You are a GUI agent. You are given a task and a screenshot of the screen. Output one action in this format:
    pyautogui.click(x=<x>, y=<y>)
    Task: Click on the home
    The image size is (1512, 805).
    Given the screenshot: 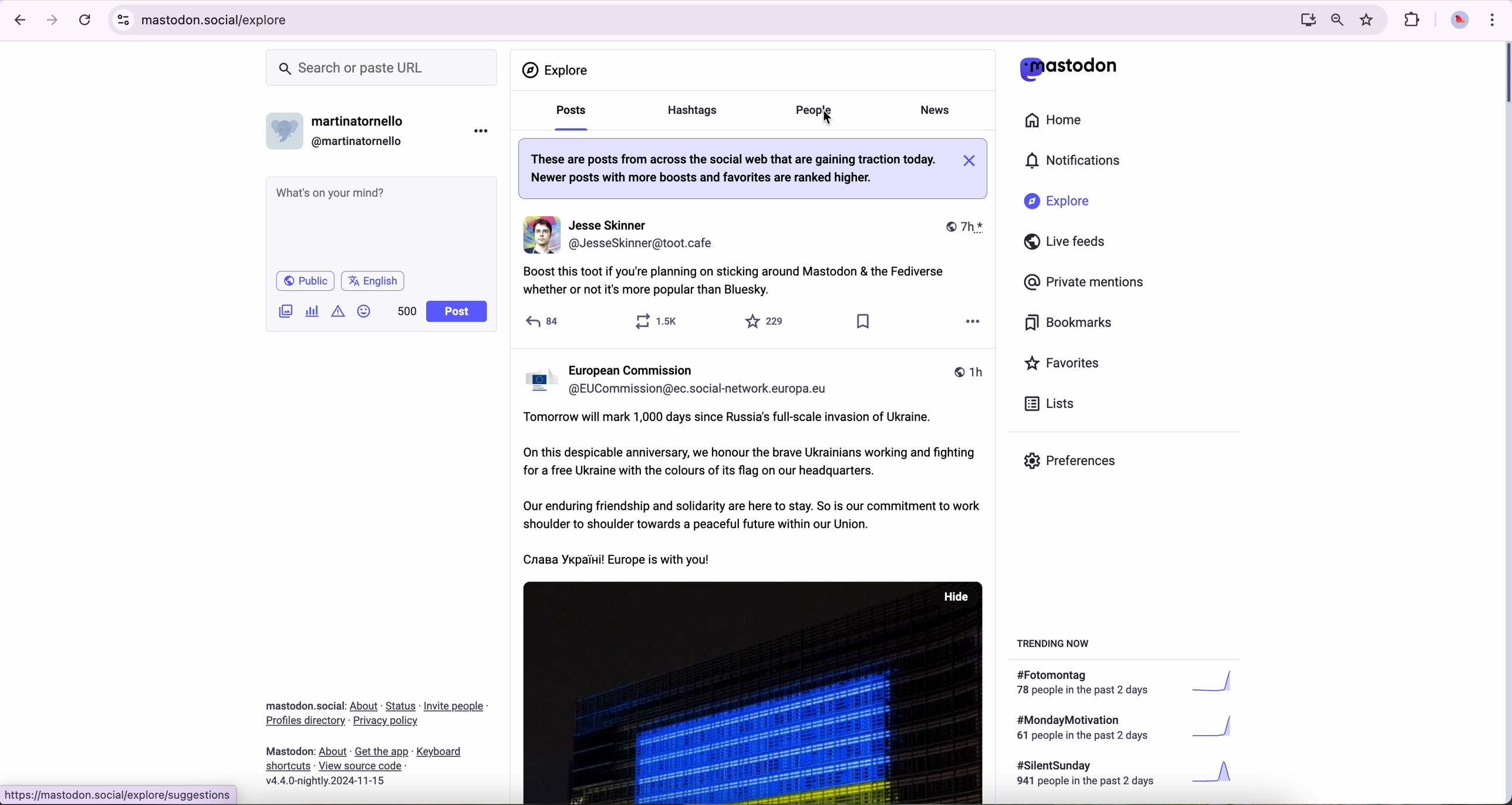 What is the action you would take?
    pyautogui.click(x=1060, y=123)
    